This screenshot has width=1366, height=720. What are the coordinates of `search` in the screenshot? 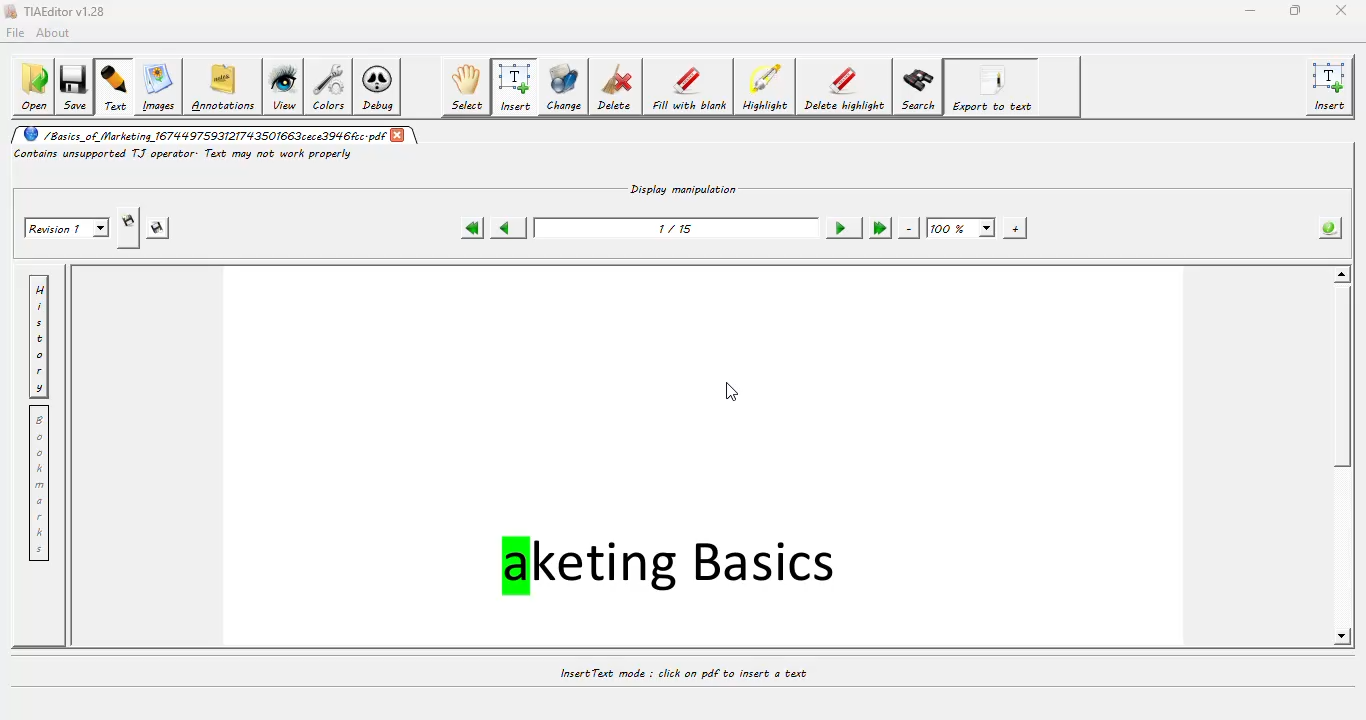 It's located at (919, 87).